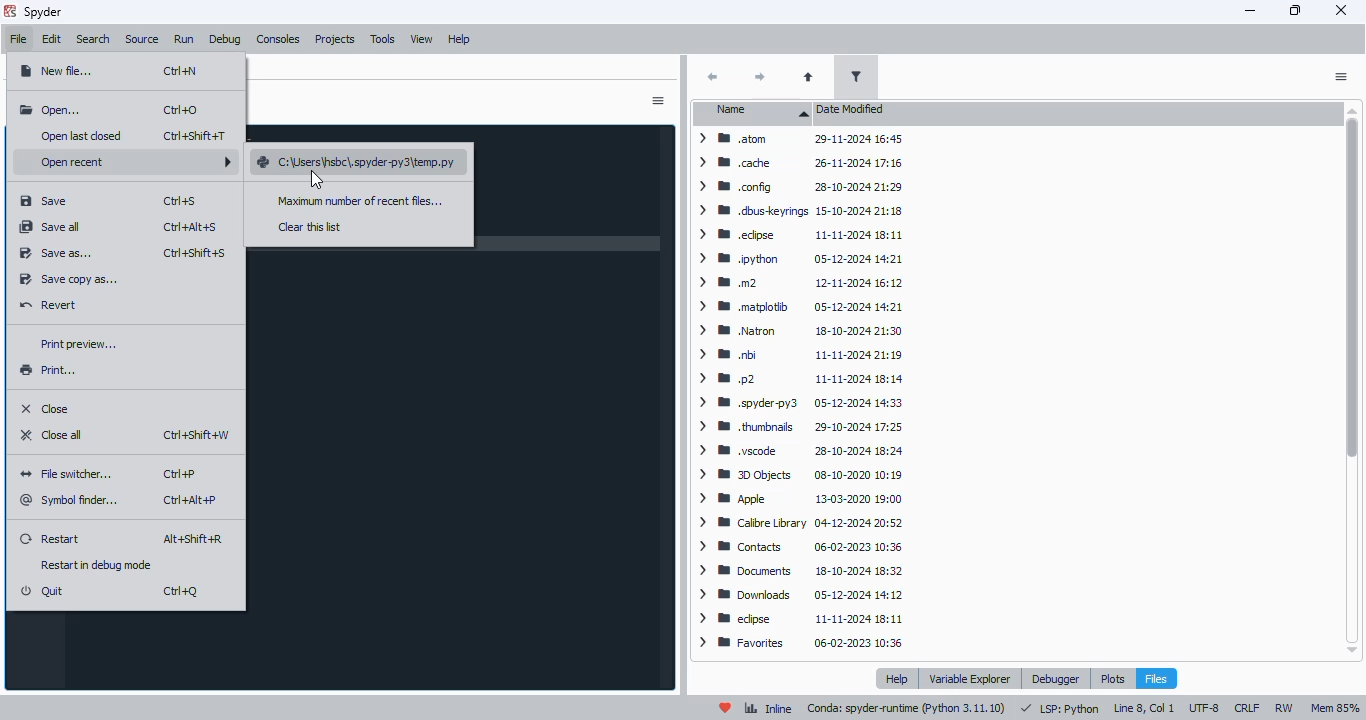 The height and width of the screenshot is (720, 1366). Describe the element at coordinates (1059, 708) in the screenshot. I see ` LSP: Python` at that location.